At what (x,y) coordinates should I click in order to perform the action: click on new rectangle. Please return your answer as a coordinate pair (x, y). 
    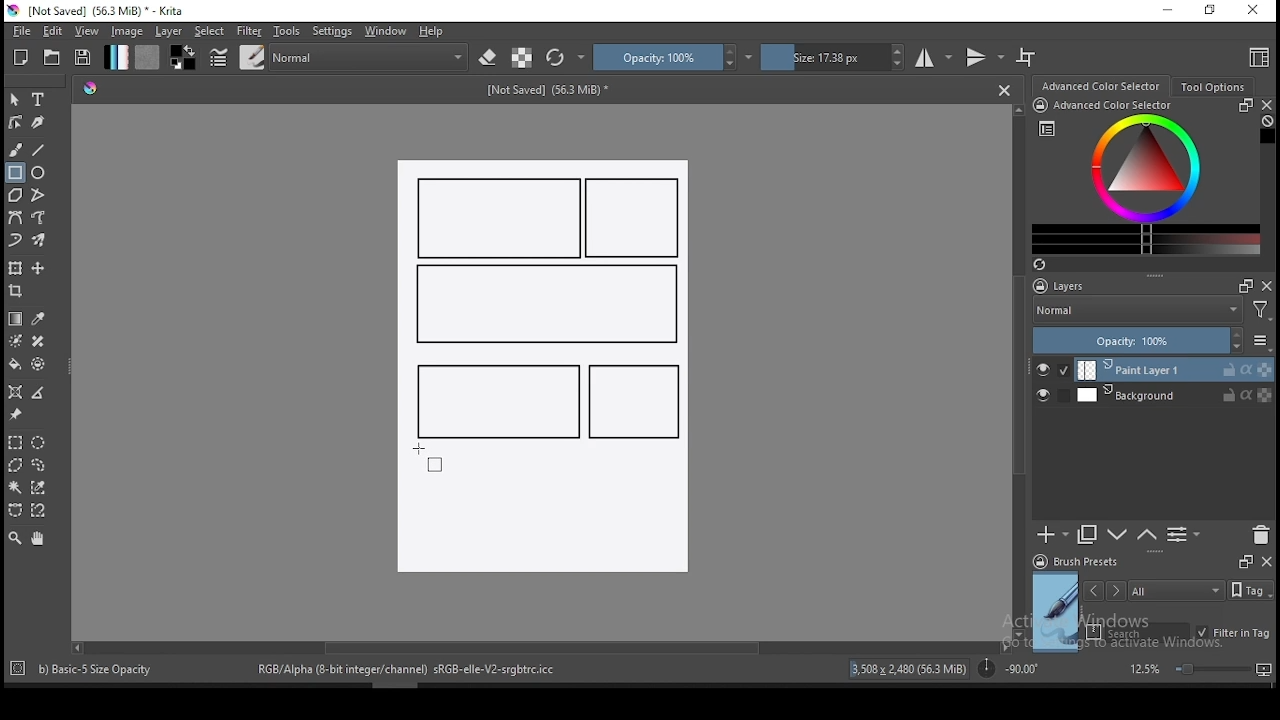
    Looking at the image, I should click on (544, 305).